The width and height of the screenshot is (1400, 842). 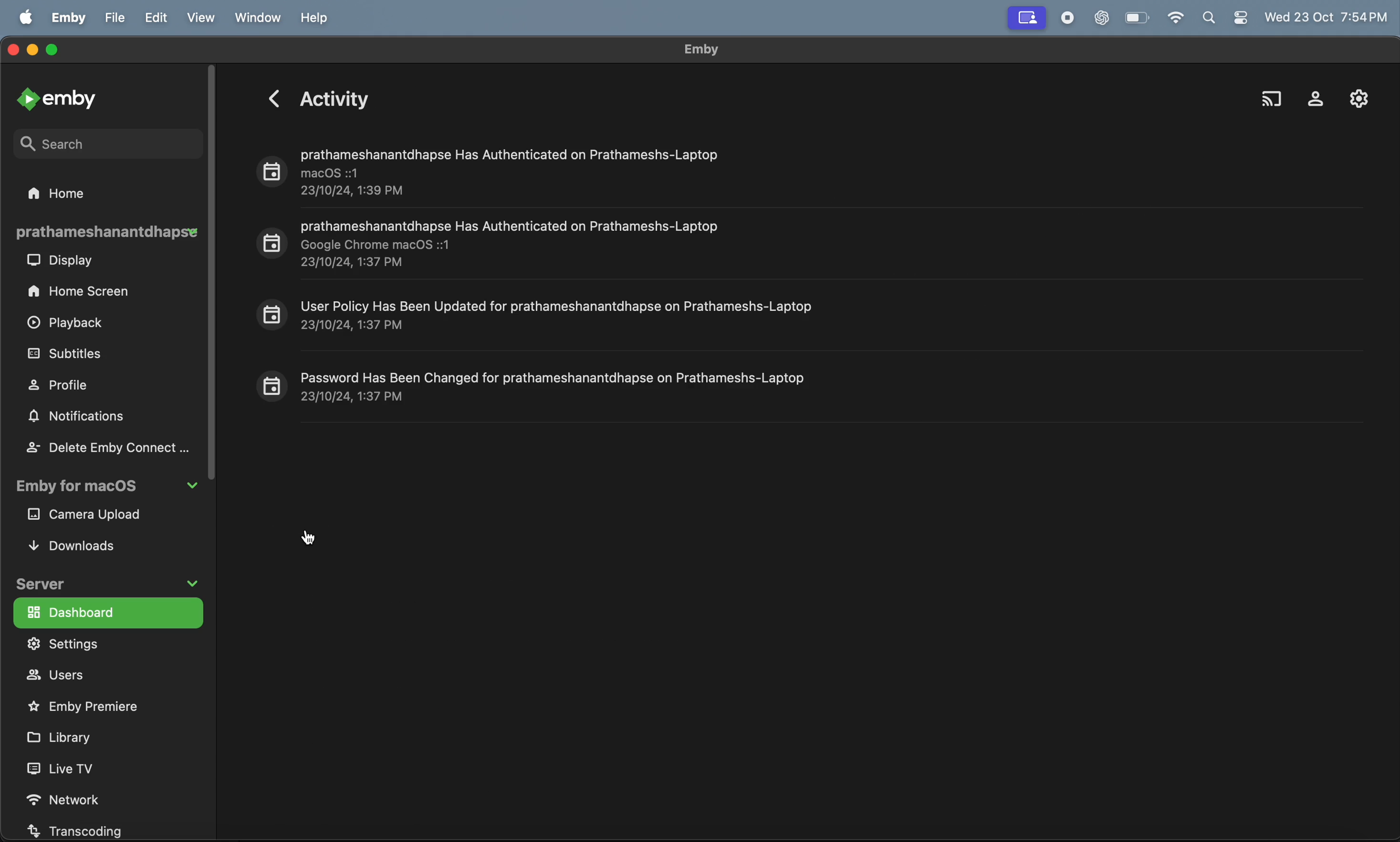 I want to click on emby premire, so click(x=92, y=705).